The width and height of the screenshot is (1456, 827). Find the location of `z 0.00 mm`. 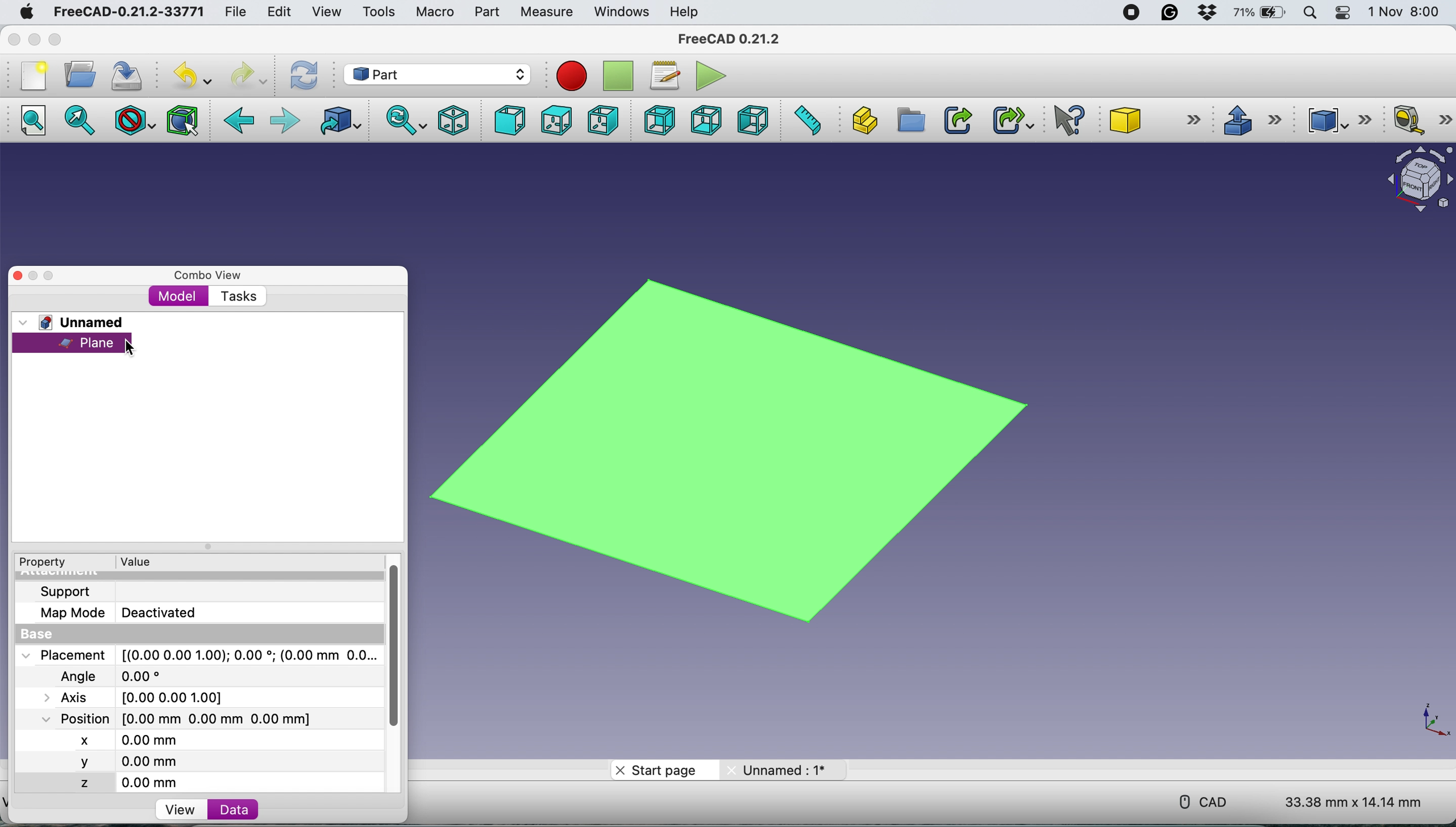

z 0.00 mm is located at coordinates (140, 783).